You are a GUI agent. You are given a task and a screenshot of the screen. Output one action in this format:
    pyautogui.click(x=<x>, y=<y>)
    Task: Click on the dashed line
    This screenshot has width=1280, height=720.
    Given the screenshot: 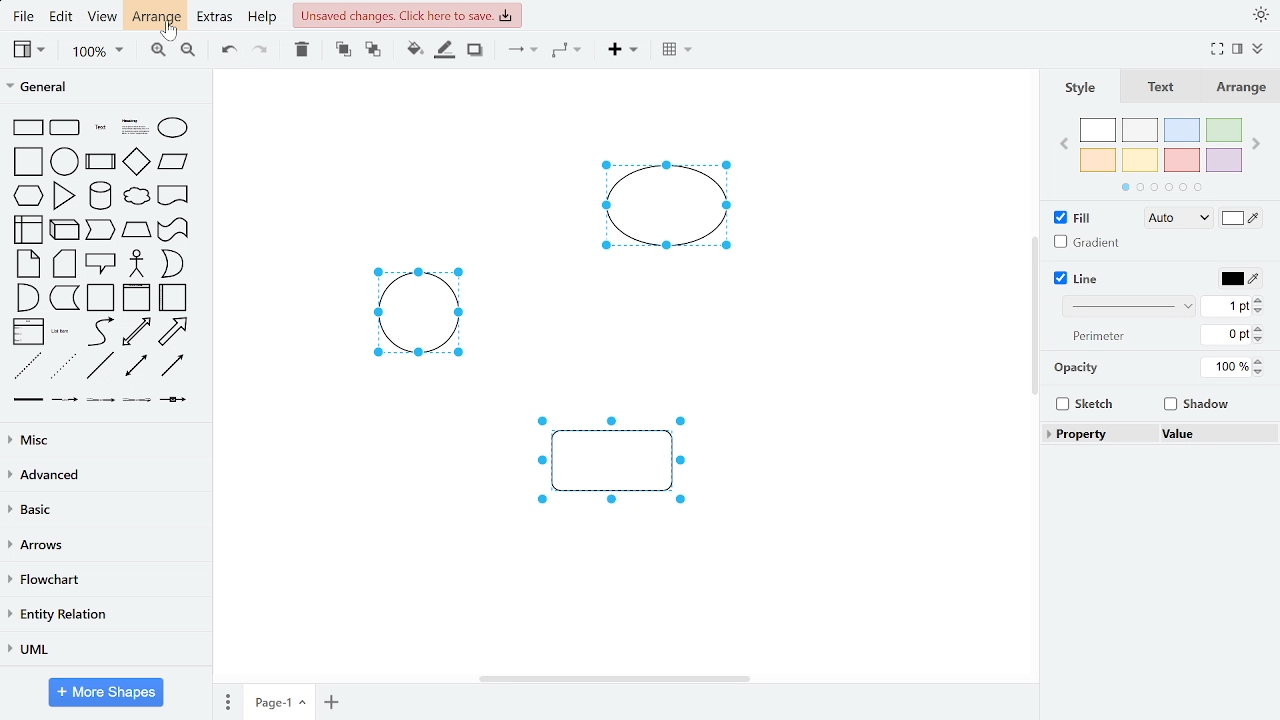 What is the action you would take?
    pyautogui.click(x=27, y=366)
    